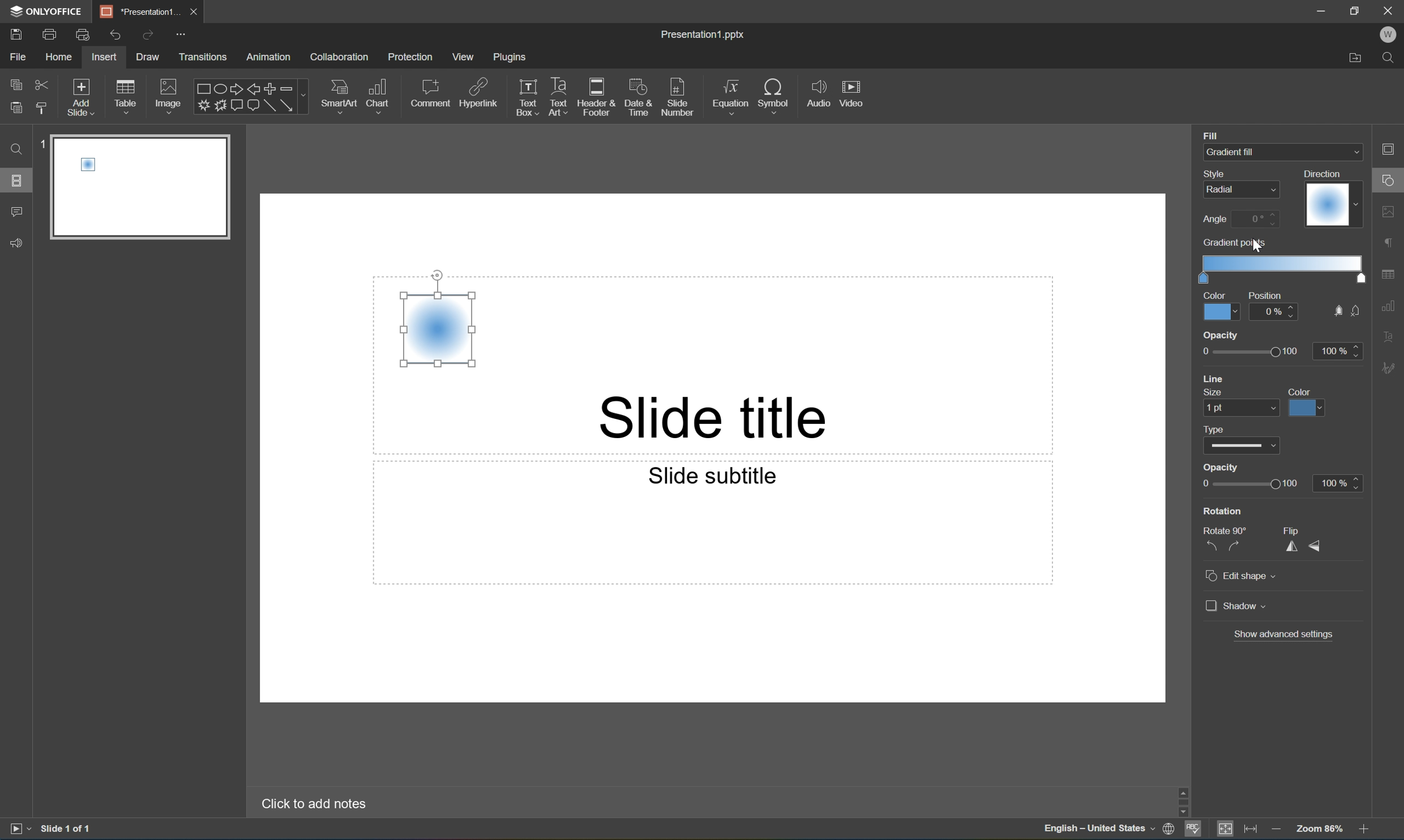 This screenshot has height=840, width=1404. What do you see at coordinates (1223, 511) in the screenshot?
I see `Rotation` at bounding box center [1223, 511].